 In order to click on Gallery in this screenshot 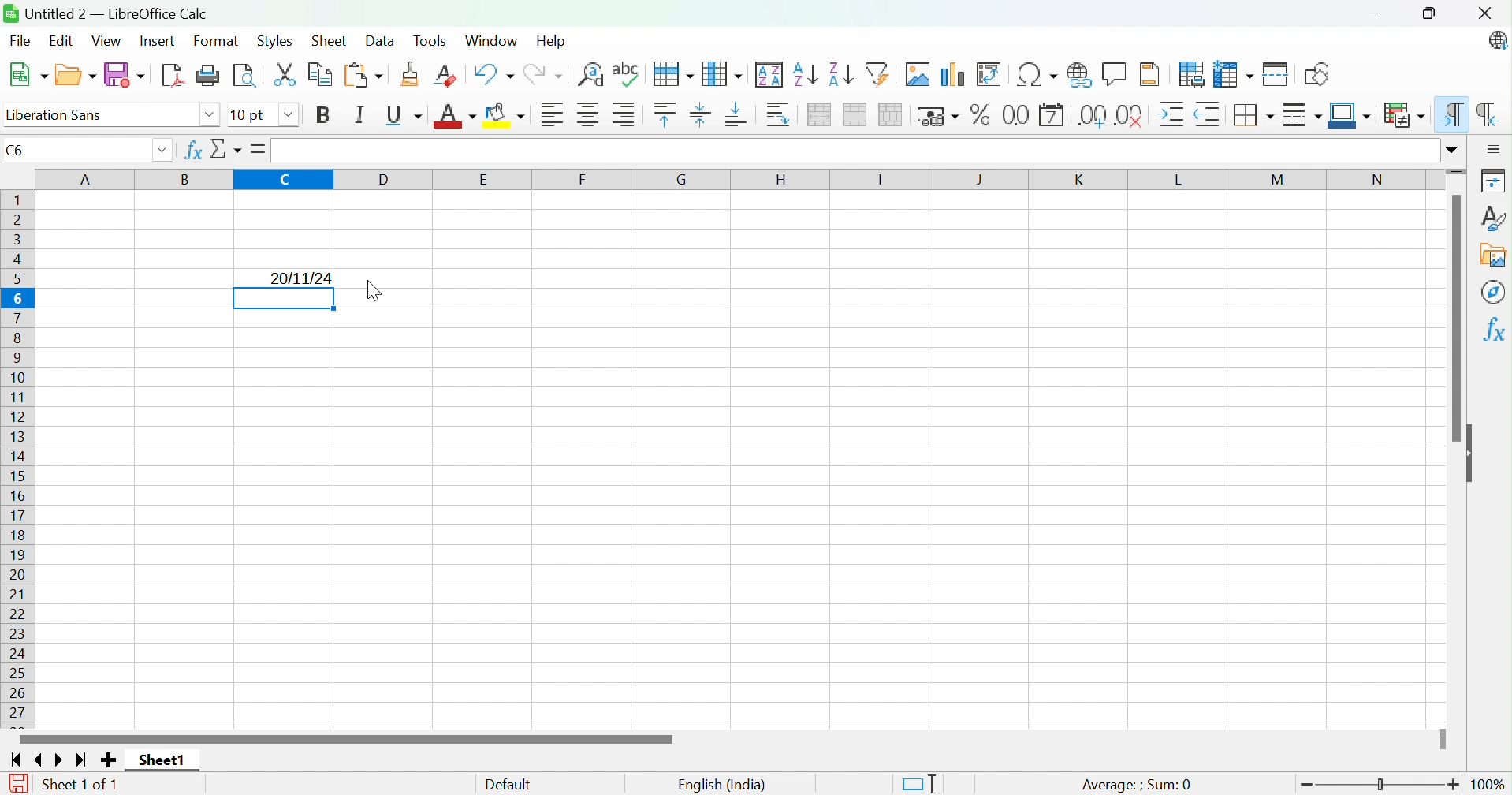, I will do `click(1496, 256)`.